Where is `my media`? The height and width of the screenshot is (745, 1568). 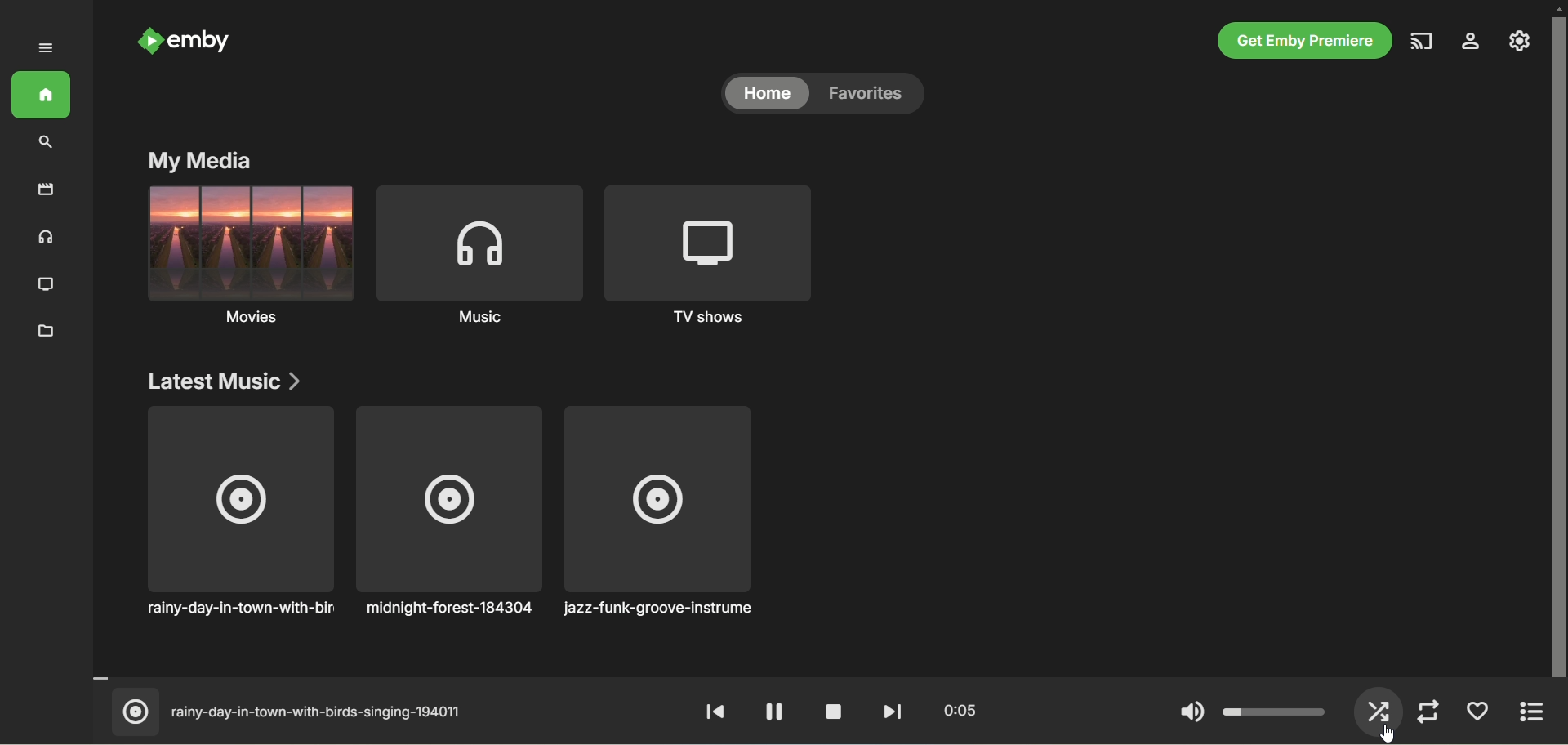 my media is located at coordinates (199, 161).